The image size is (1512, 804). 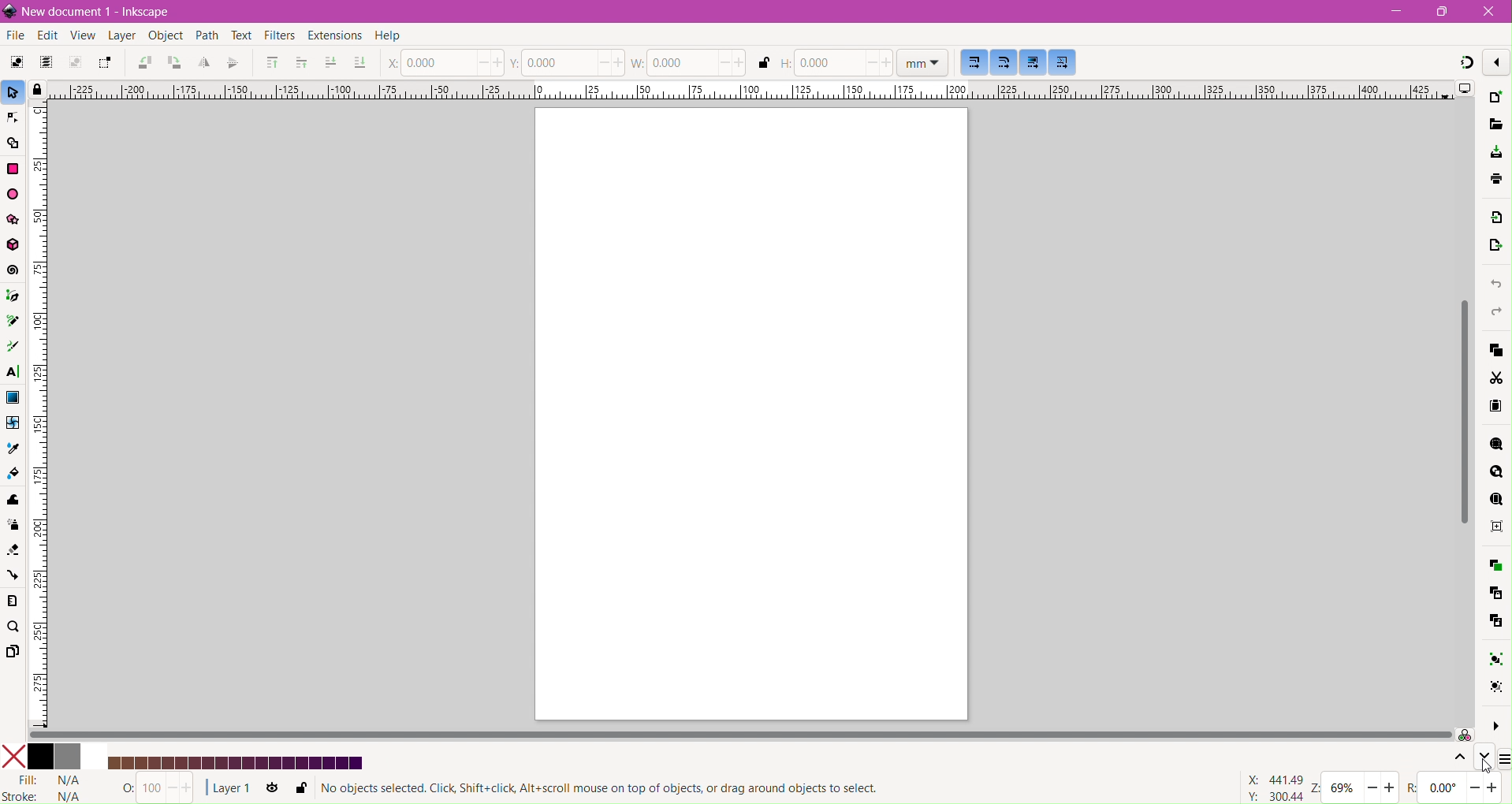 What do you see at coordinates (229, 788) in the screenshot?
I see `Current Layer` at bounding box center [229, 788].